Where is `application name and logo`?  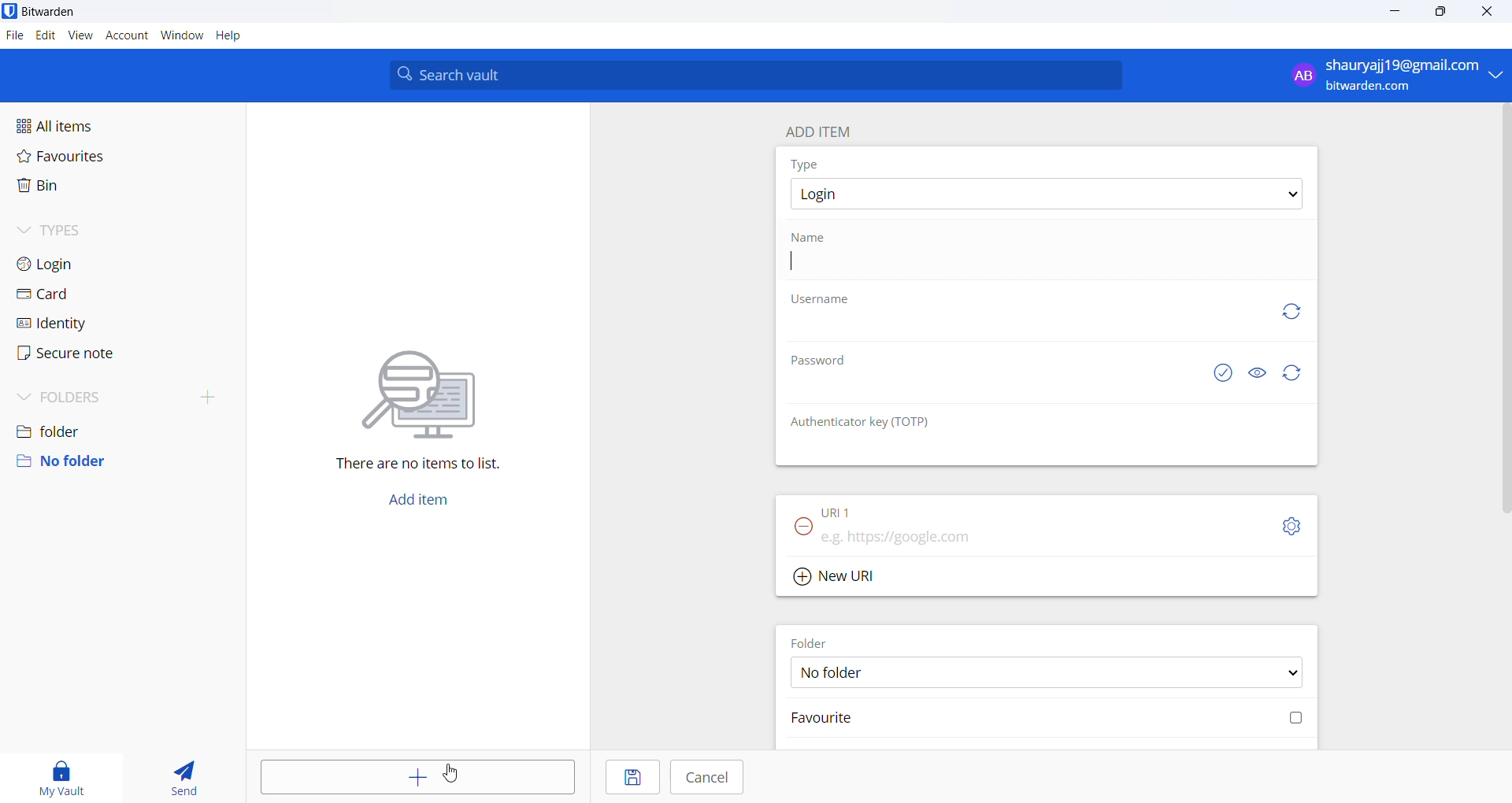
application name and logo is located at coordinates (58, 13).